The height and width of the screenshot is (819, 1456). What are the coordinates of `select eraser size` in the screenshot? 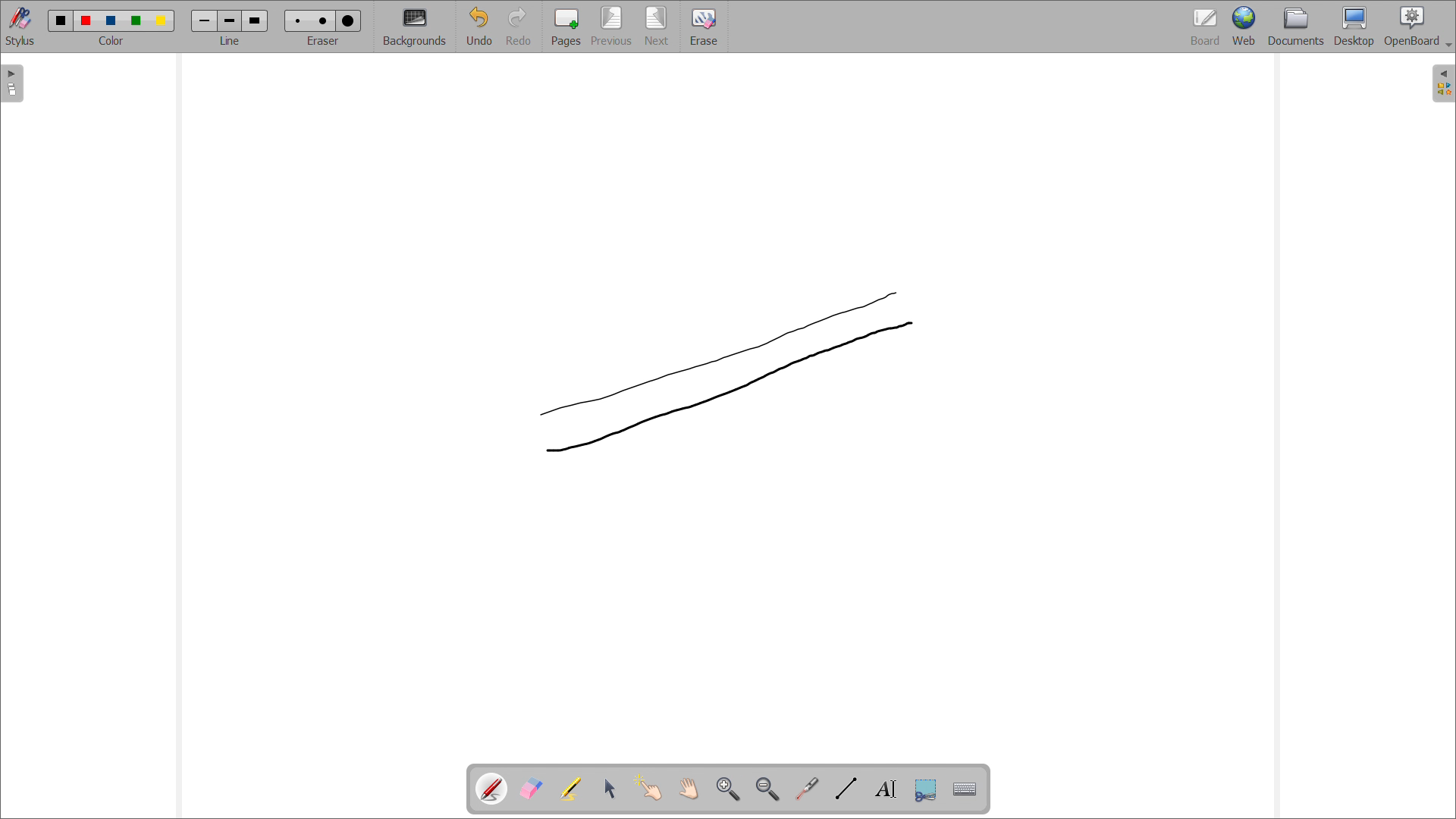 It's located at (324, 41).